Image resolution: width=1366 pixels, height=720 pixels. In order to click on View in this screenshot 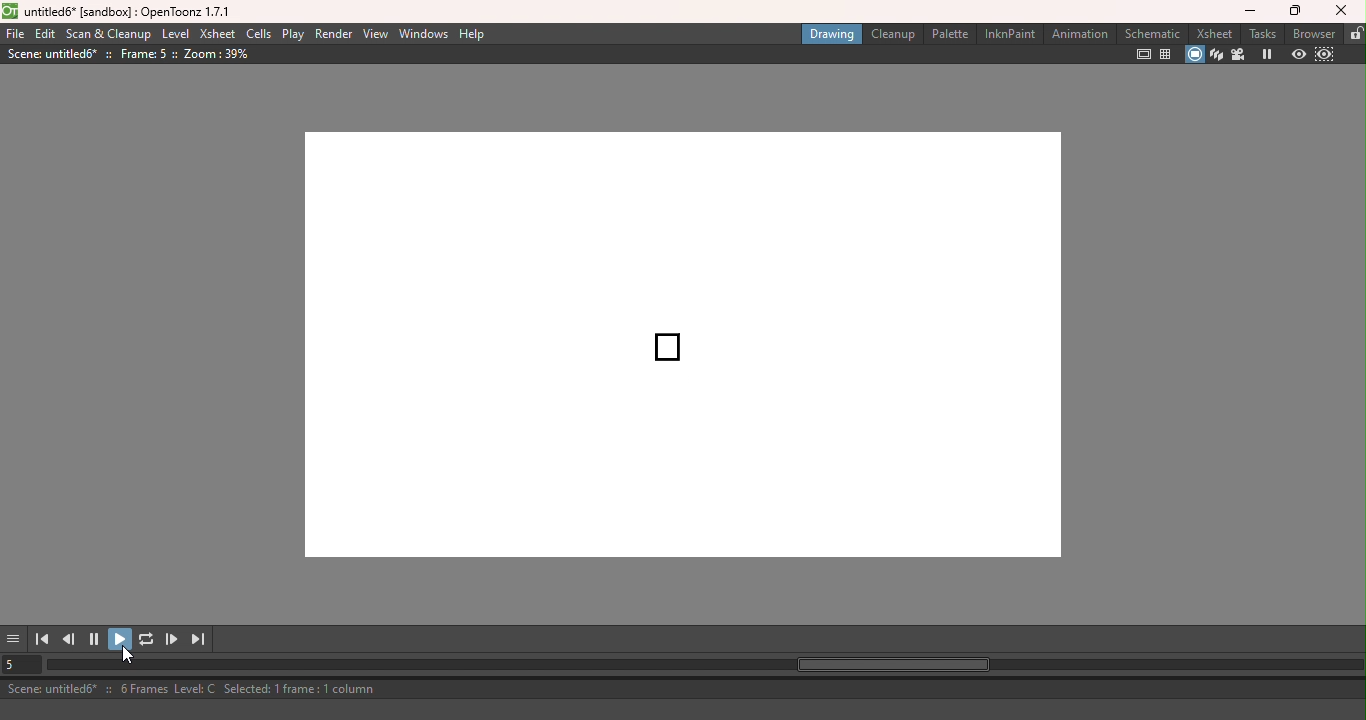, I will do `click(375, 34)`.